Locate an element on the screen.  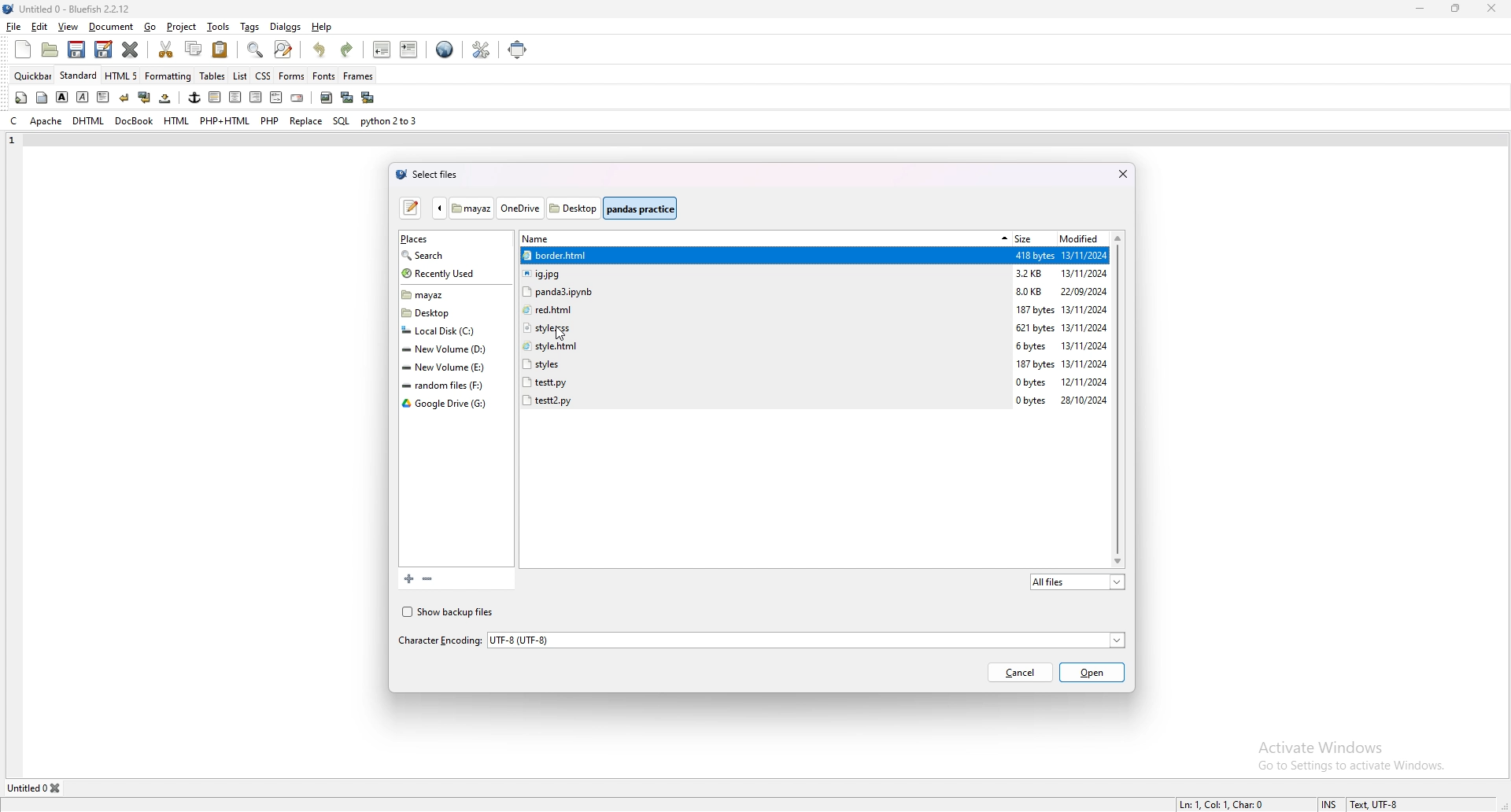
tools is located at coordinates (219, 28).